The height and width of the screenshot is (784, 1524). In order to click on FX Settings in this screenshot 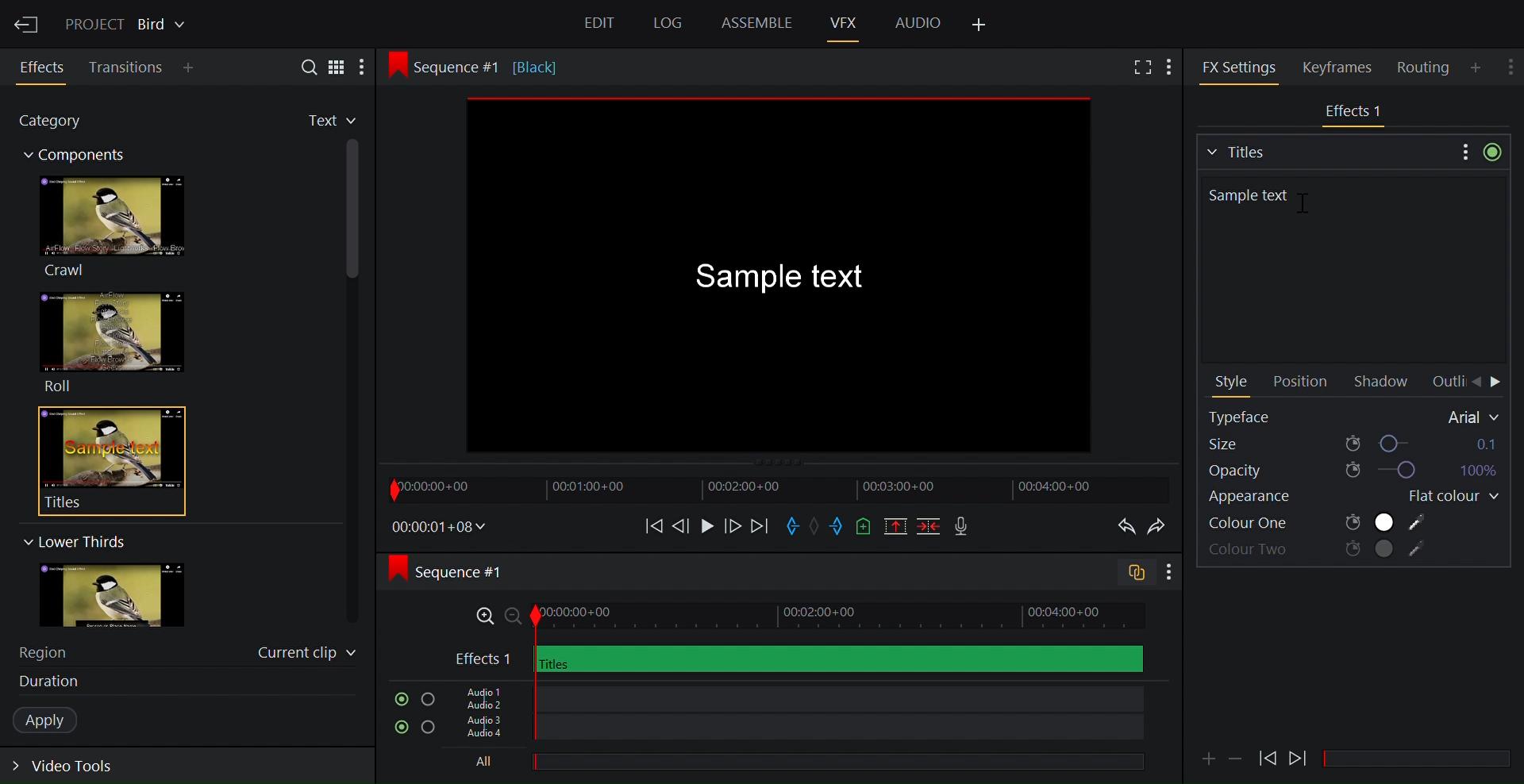, I will do `click(1239, 67)`.